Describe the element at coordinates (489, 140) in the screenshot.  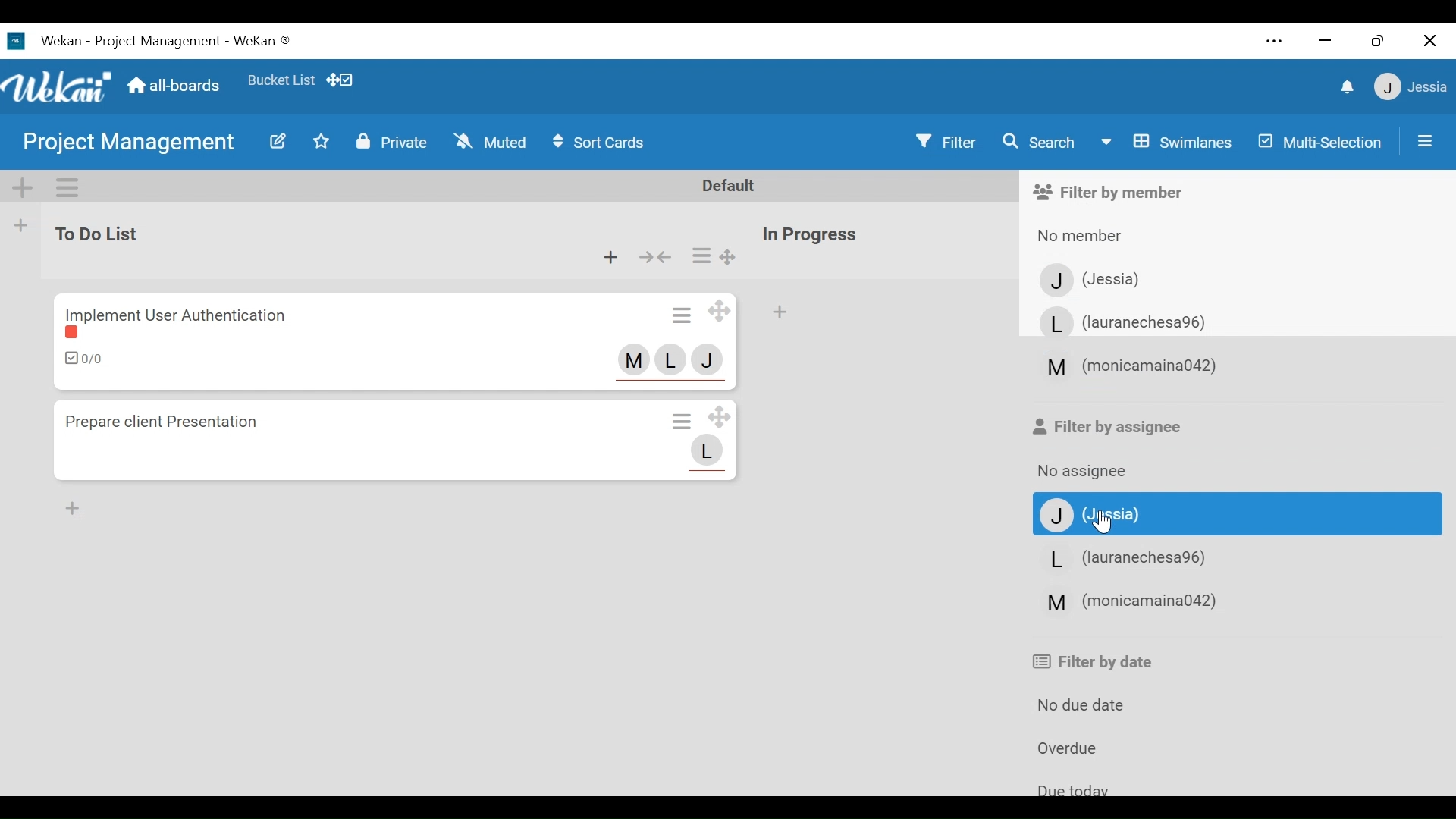
I see `Muted` at that location.